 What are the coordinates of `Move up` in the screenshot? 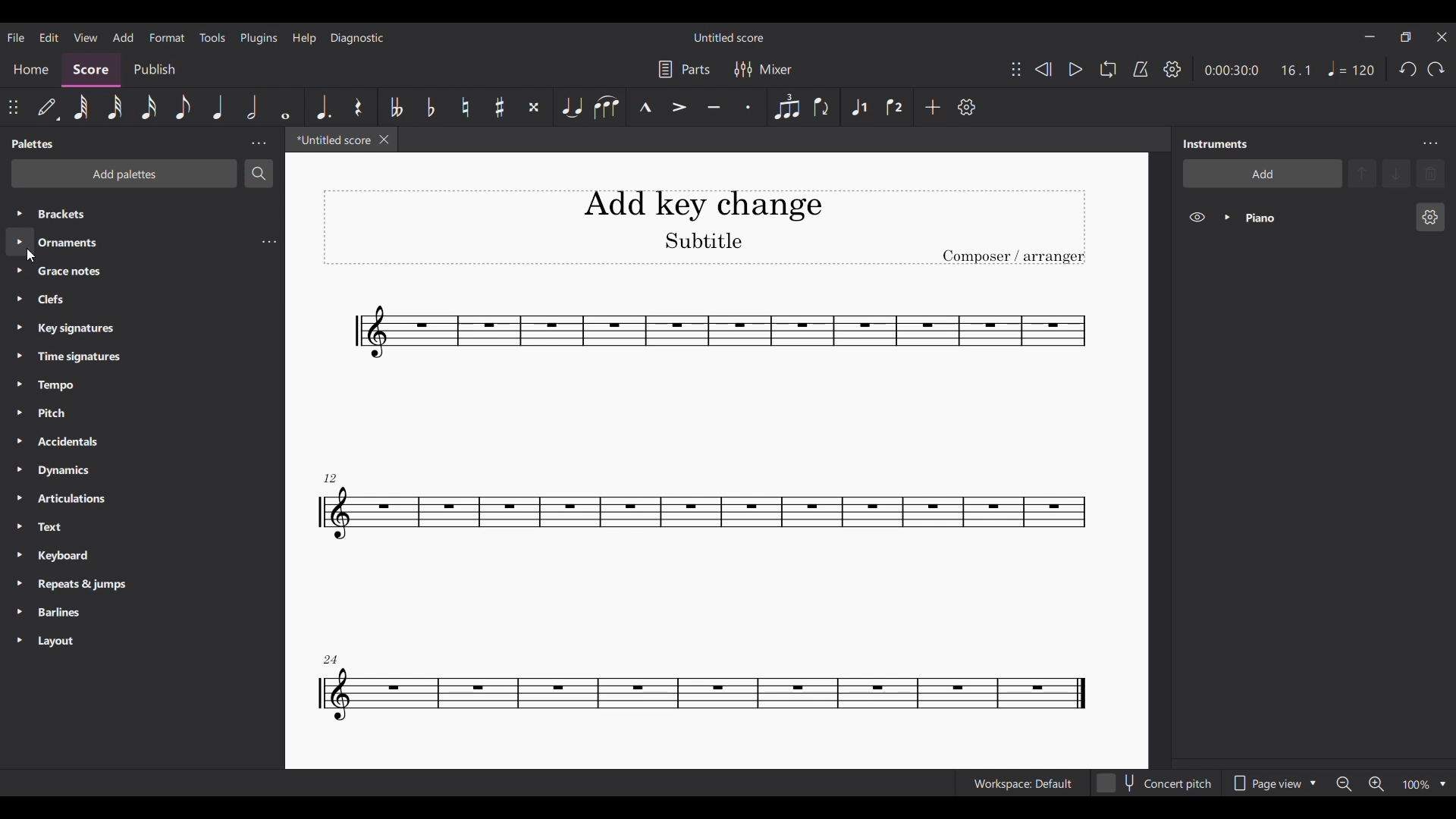 It's located at (1362, 174).